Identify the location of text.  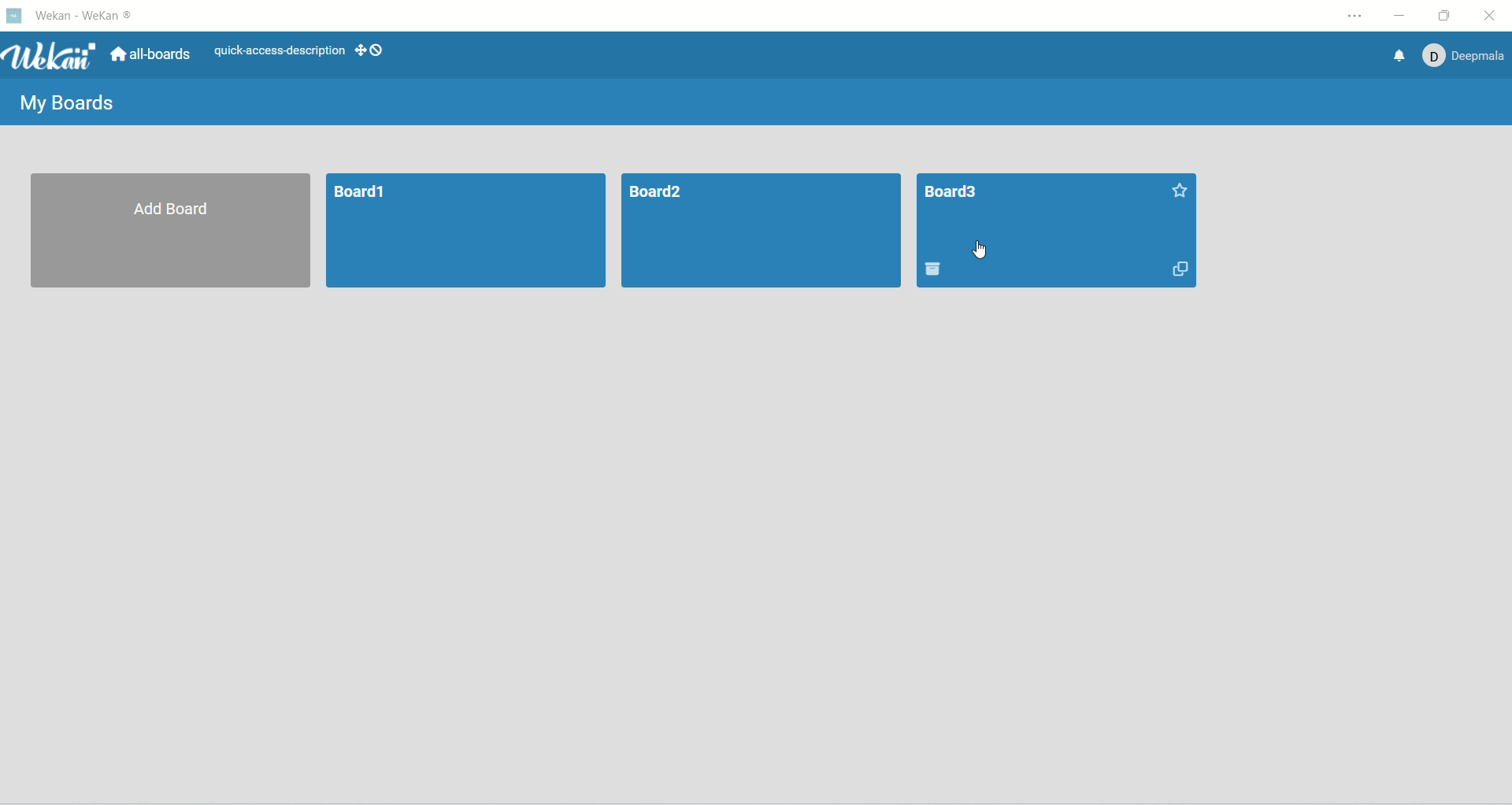
(280, 48).